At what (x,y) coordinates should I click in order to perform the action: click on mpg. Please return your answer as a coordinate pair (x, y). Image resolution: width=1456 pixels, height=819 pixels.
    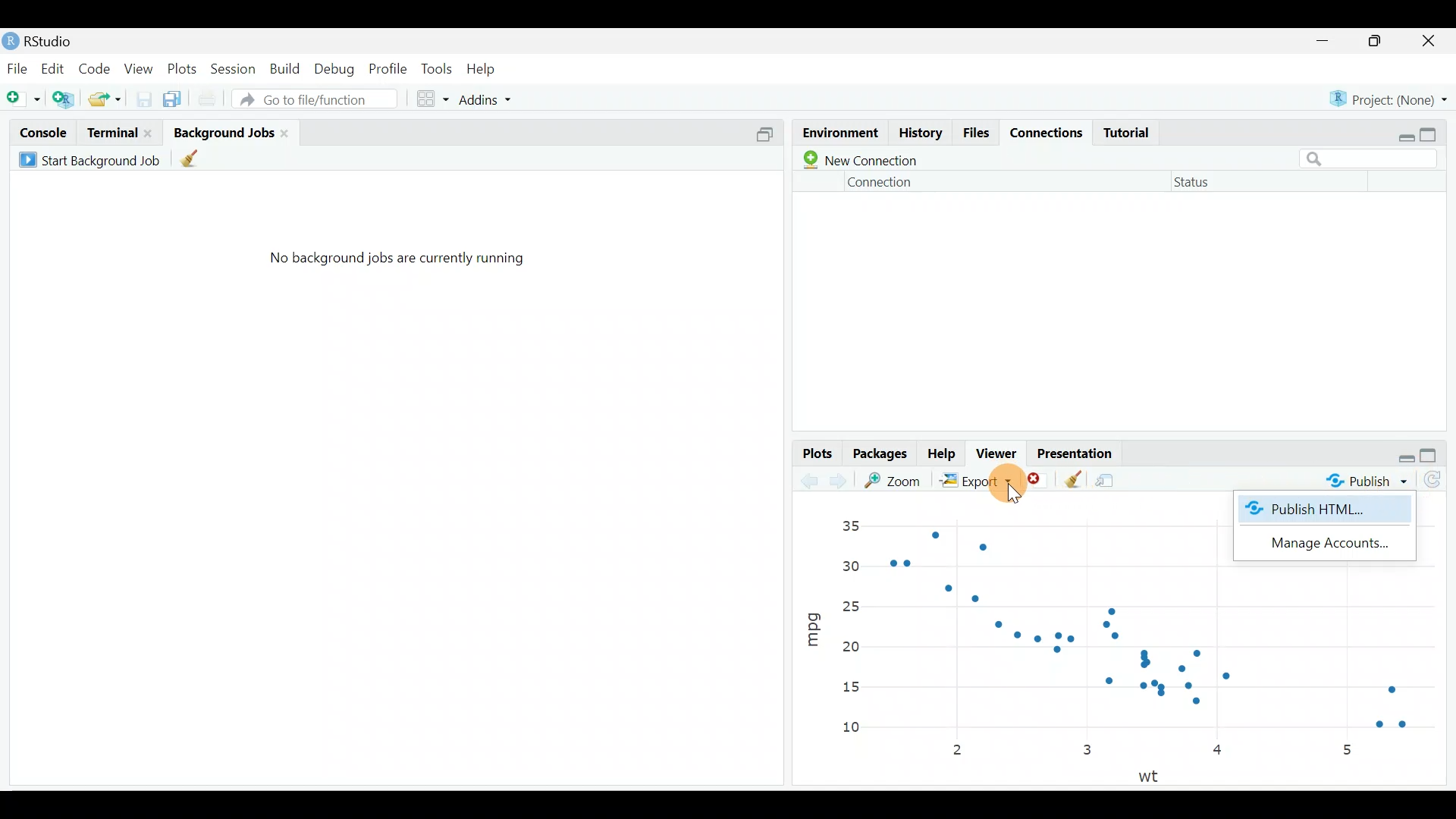
    Looking at the image, I should click on (813, 623).